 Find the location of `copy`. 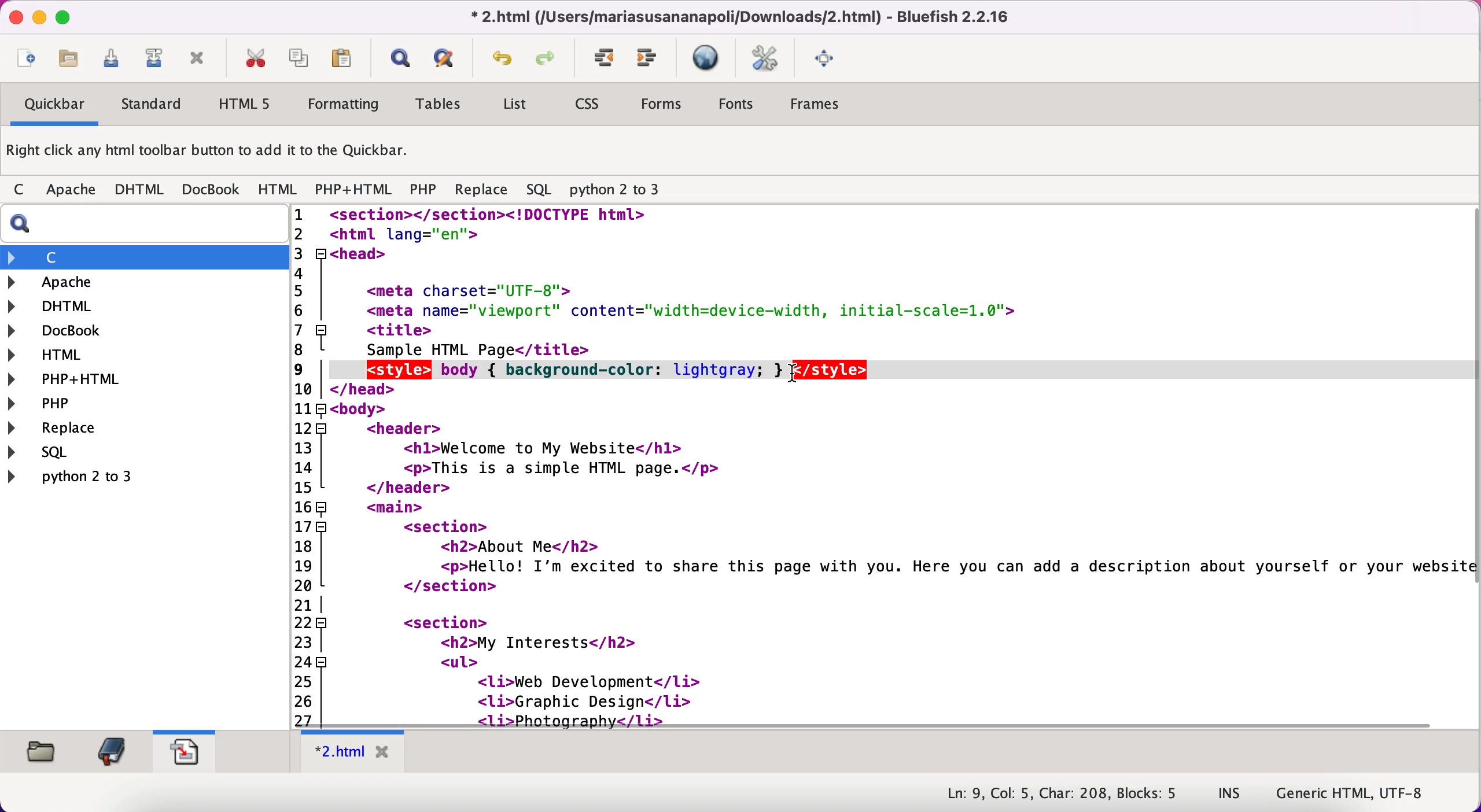

copy is located at coordinates (301, 57).